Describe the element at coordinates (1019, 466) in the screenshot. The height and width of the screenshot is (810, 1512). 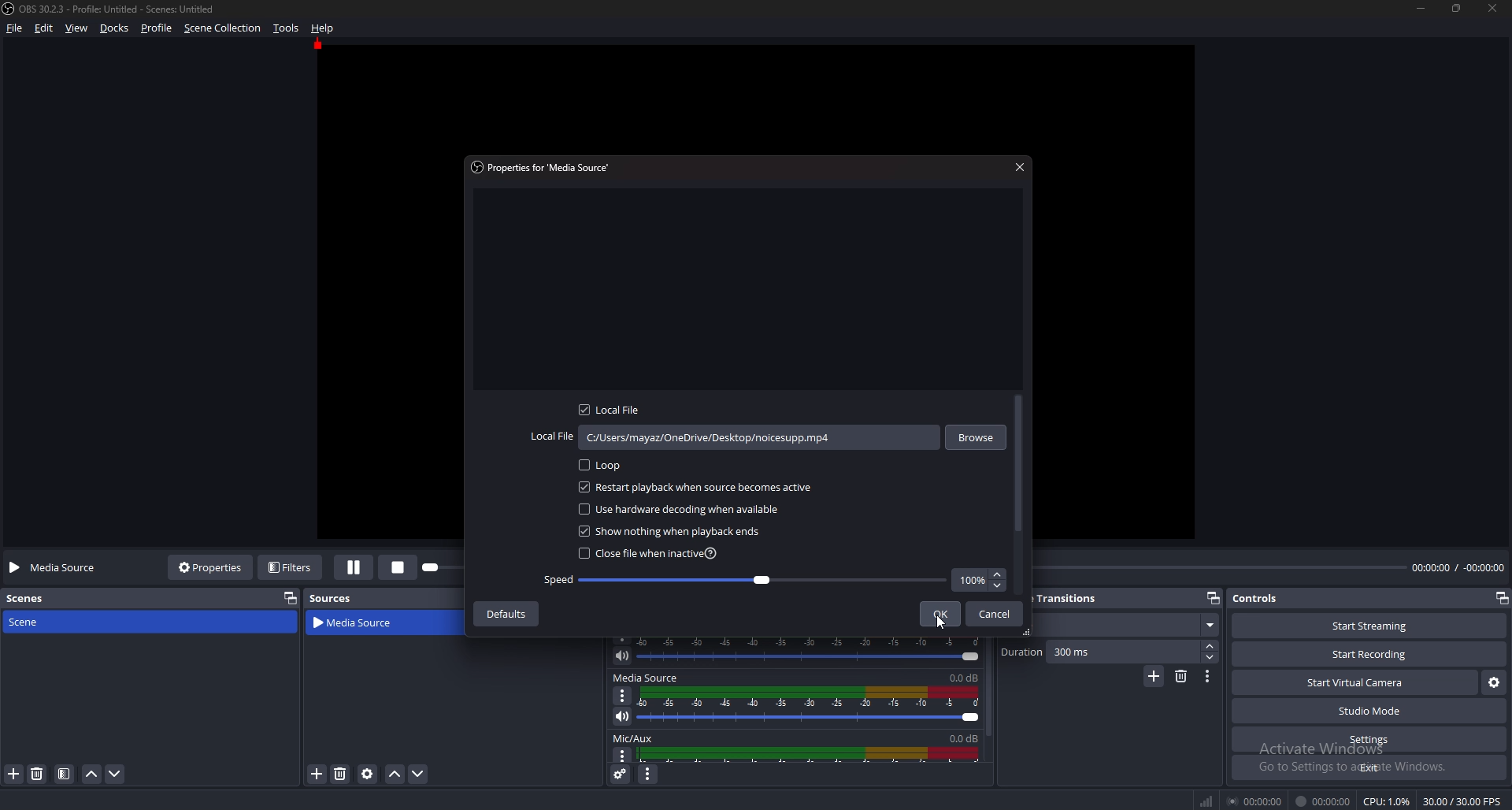
I see `Scroll bar` at that location.